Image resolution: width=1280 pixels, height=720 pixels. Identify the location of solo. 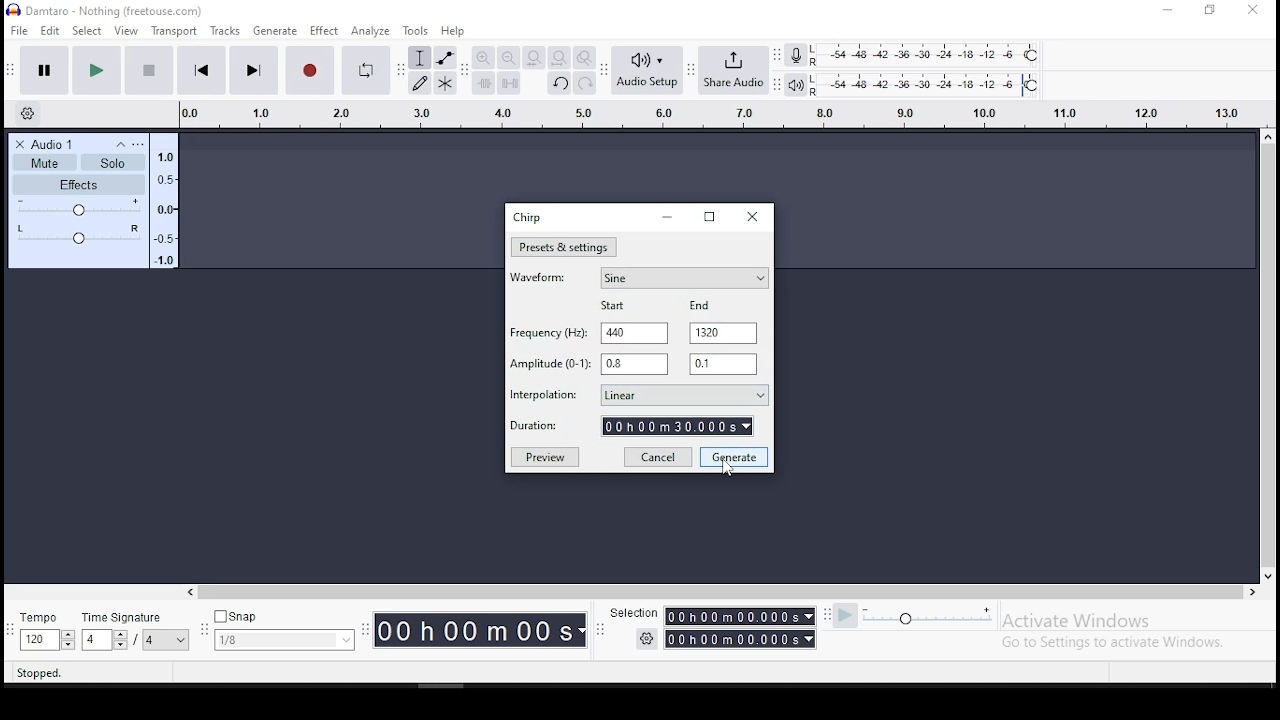
(113, 162).